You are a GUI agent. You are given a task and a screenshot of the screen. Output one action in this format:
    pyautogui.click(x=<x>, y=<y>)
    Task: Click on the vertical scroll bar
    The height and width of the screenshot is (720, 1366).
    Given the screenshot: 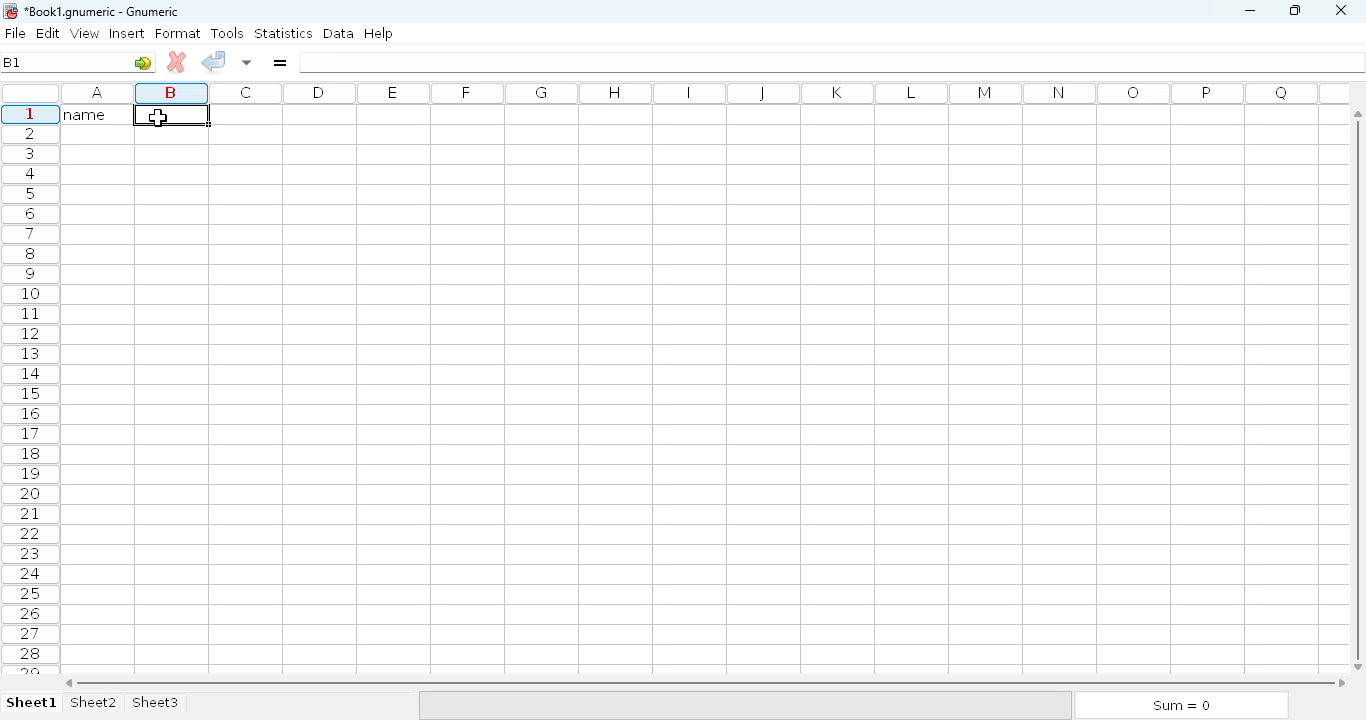 What is the action you would take?
    pyautogui.click(x=1361, y=389)
    